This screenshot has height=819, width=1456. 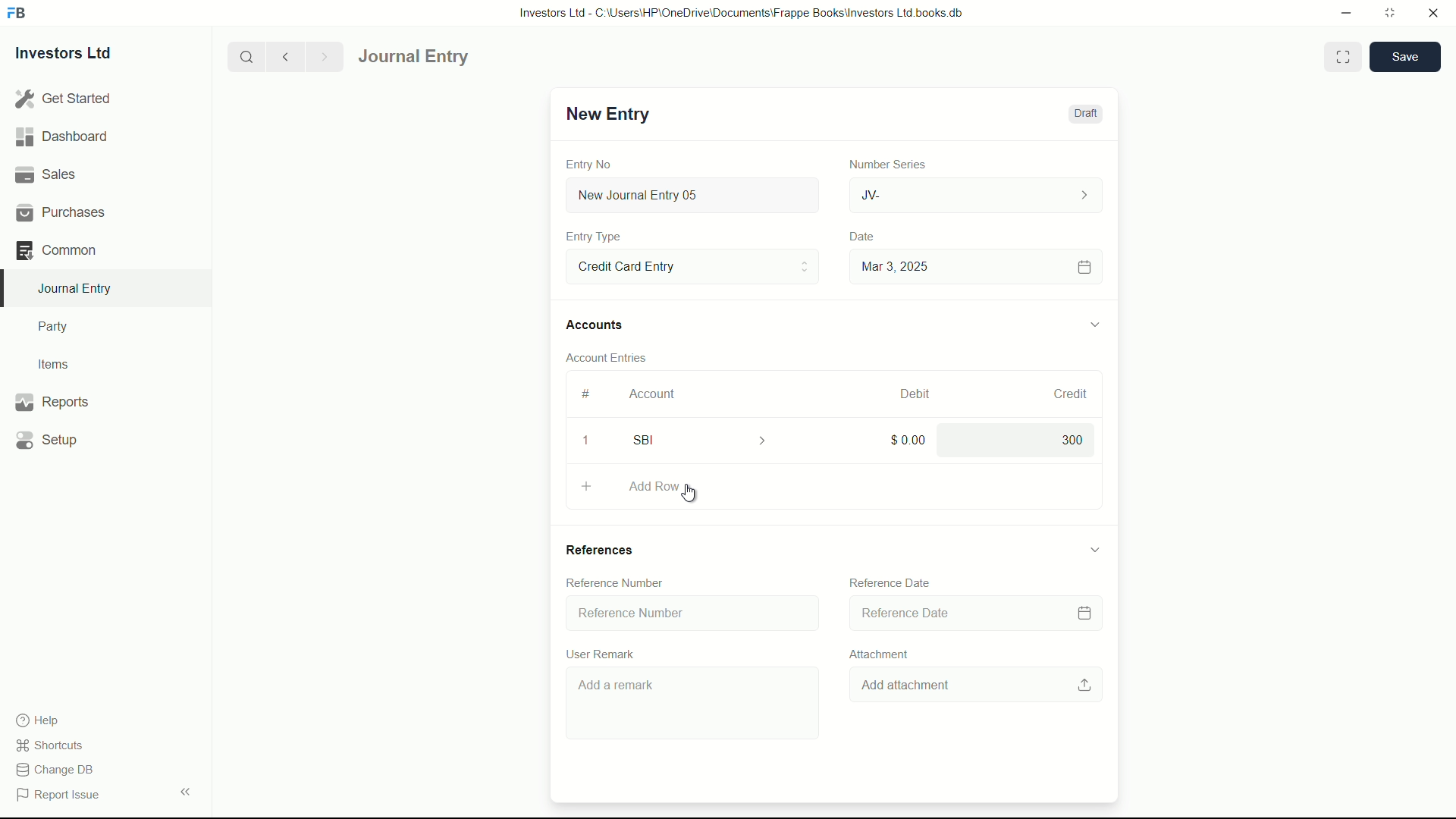 I want to click on save, so click(x=1406, y=57).